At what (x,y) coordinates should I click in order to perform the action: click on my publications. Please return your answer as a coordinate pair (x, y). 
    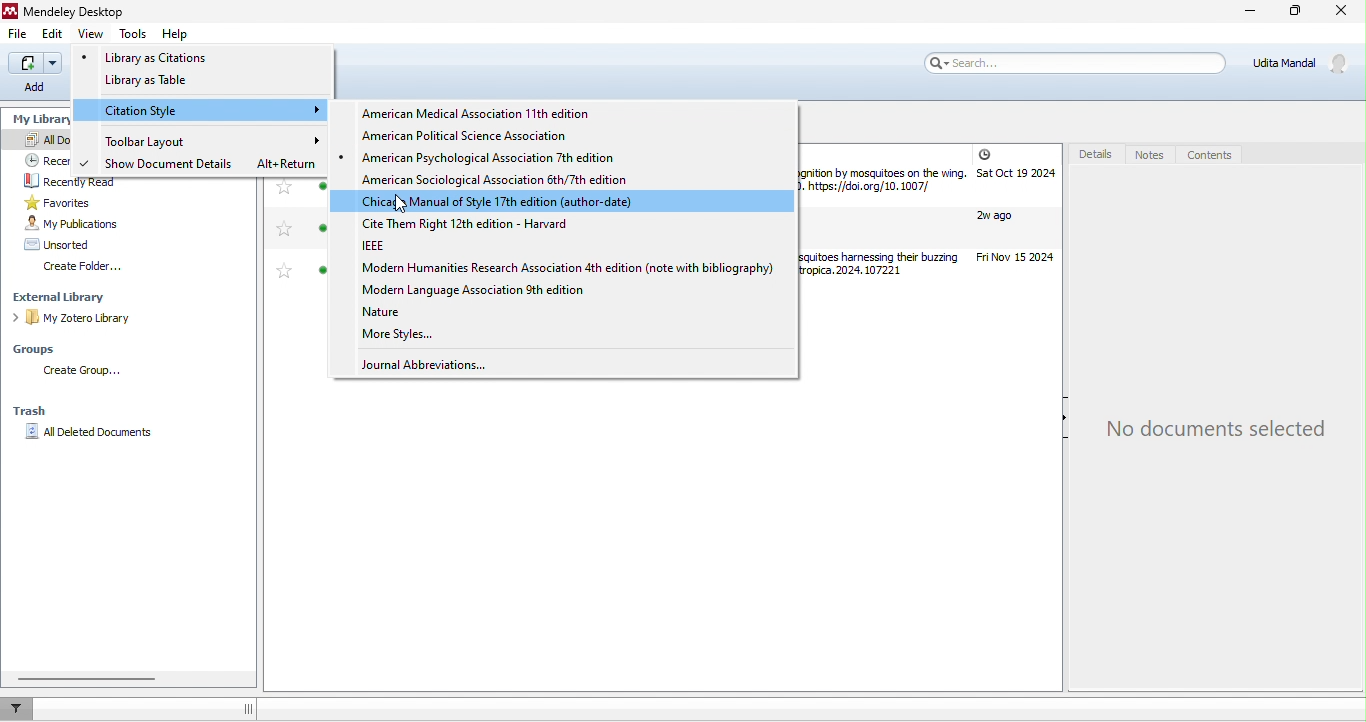
    Looking at the image, I should click on (80, 224).